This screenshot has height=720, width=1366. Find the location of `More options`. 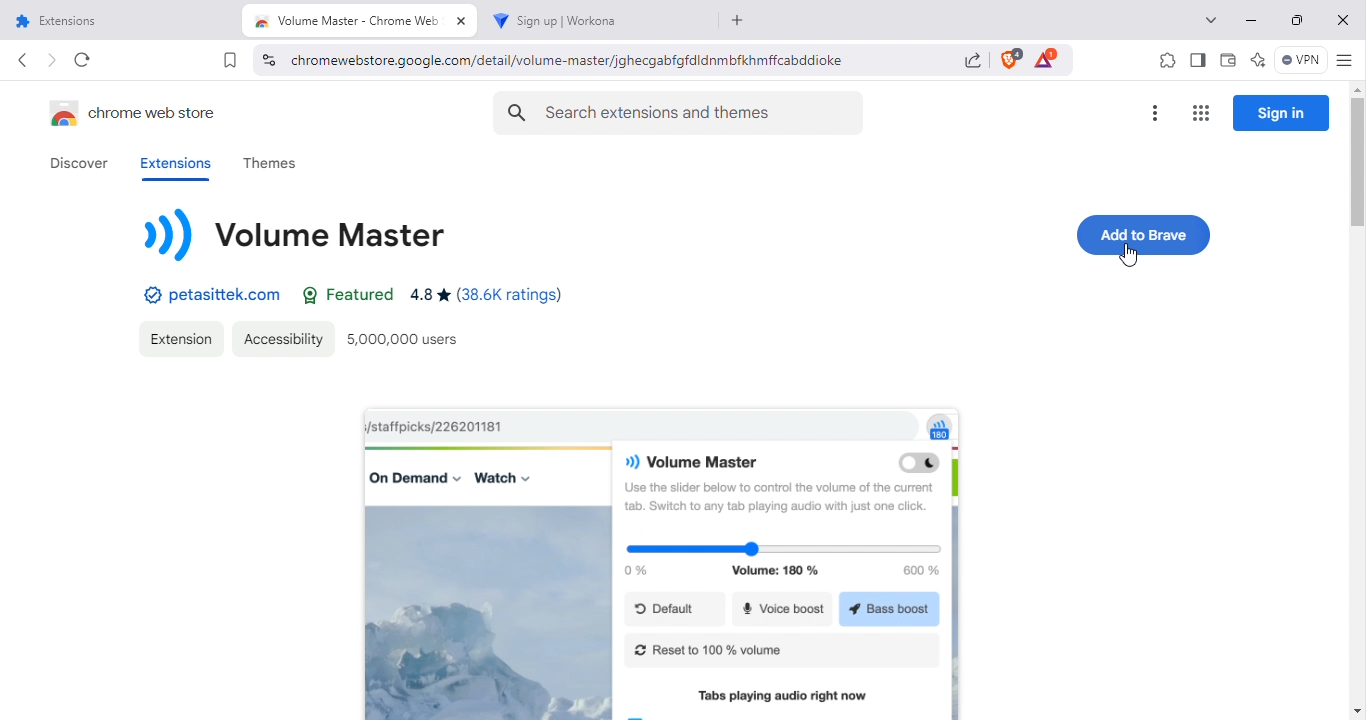

More options is located at coordinates (1154, 111).